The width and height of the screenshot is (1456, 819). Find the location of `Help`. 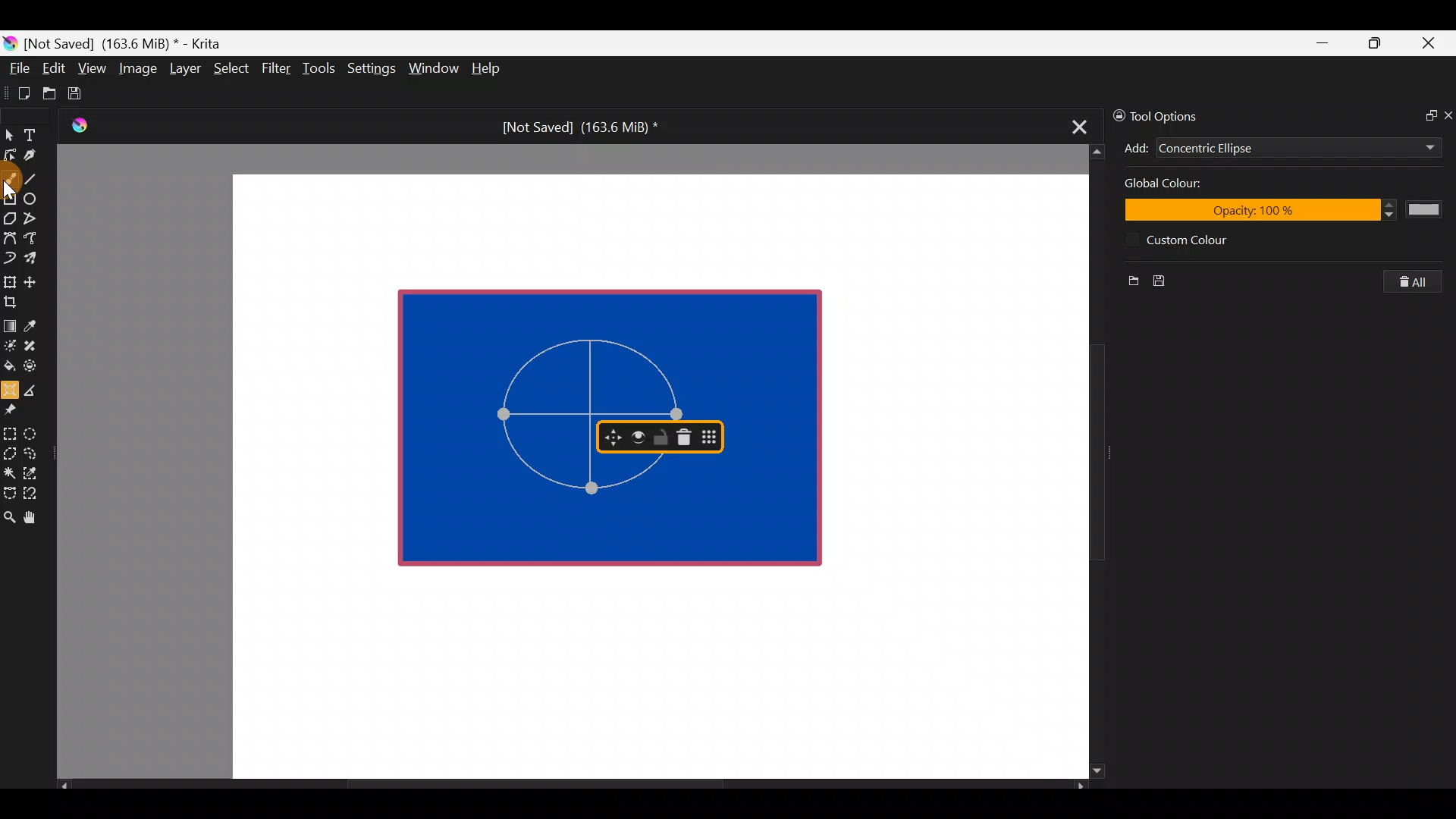

Help is located at coordinates (488, 70).